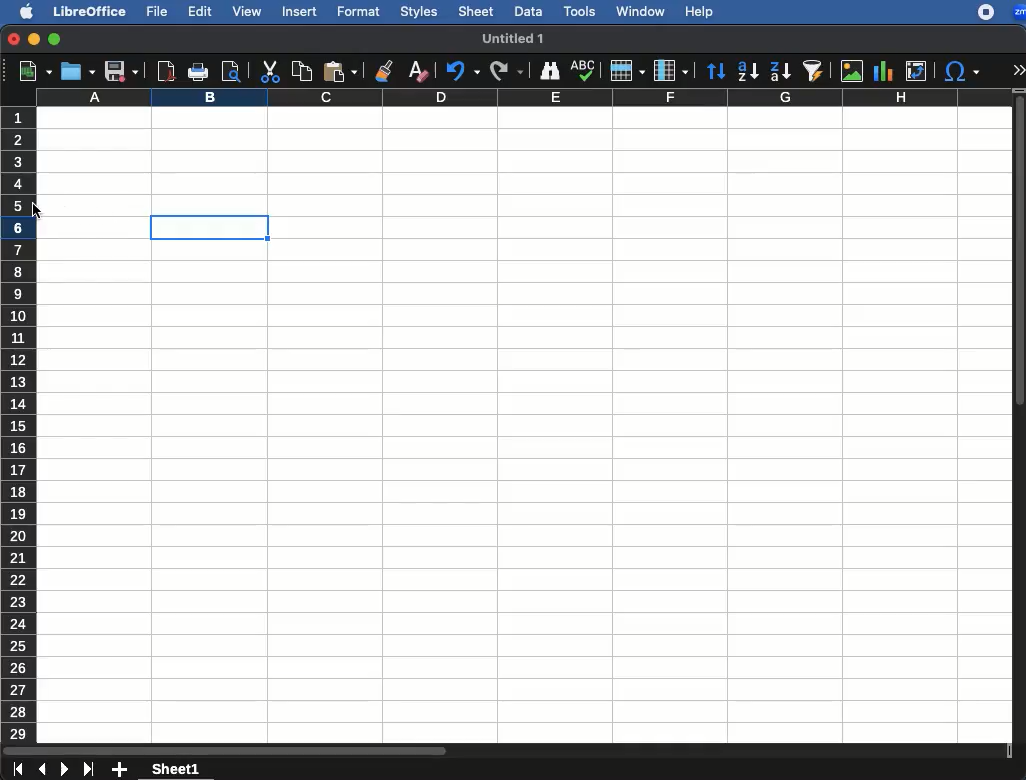 This screenshot has width=1026, height=780. Describe the element at coordinates (24, 11) in the screenshot. I see `apple` at that location.